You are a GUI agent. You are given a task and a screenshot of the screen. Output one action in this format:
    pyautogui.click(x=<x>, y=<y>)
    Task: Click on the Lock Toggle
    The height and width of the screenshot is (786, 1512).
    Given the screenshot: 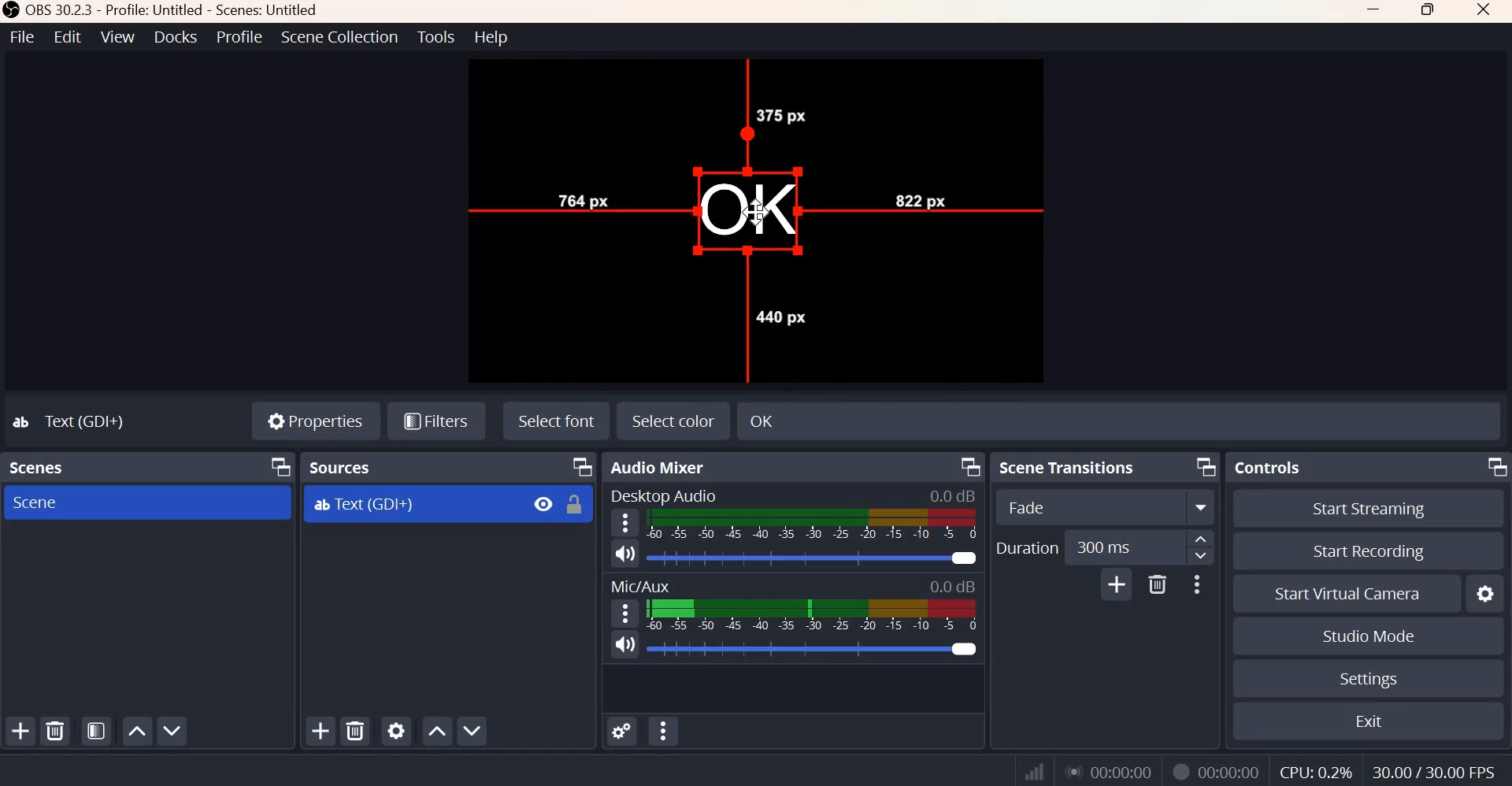 What is the action you would take?
    pyautogui.click(x=574, y=504)
    